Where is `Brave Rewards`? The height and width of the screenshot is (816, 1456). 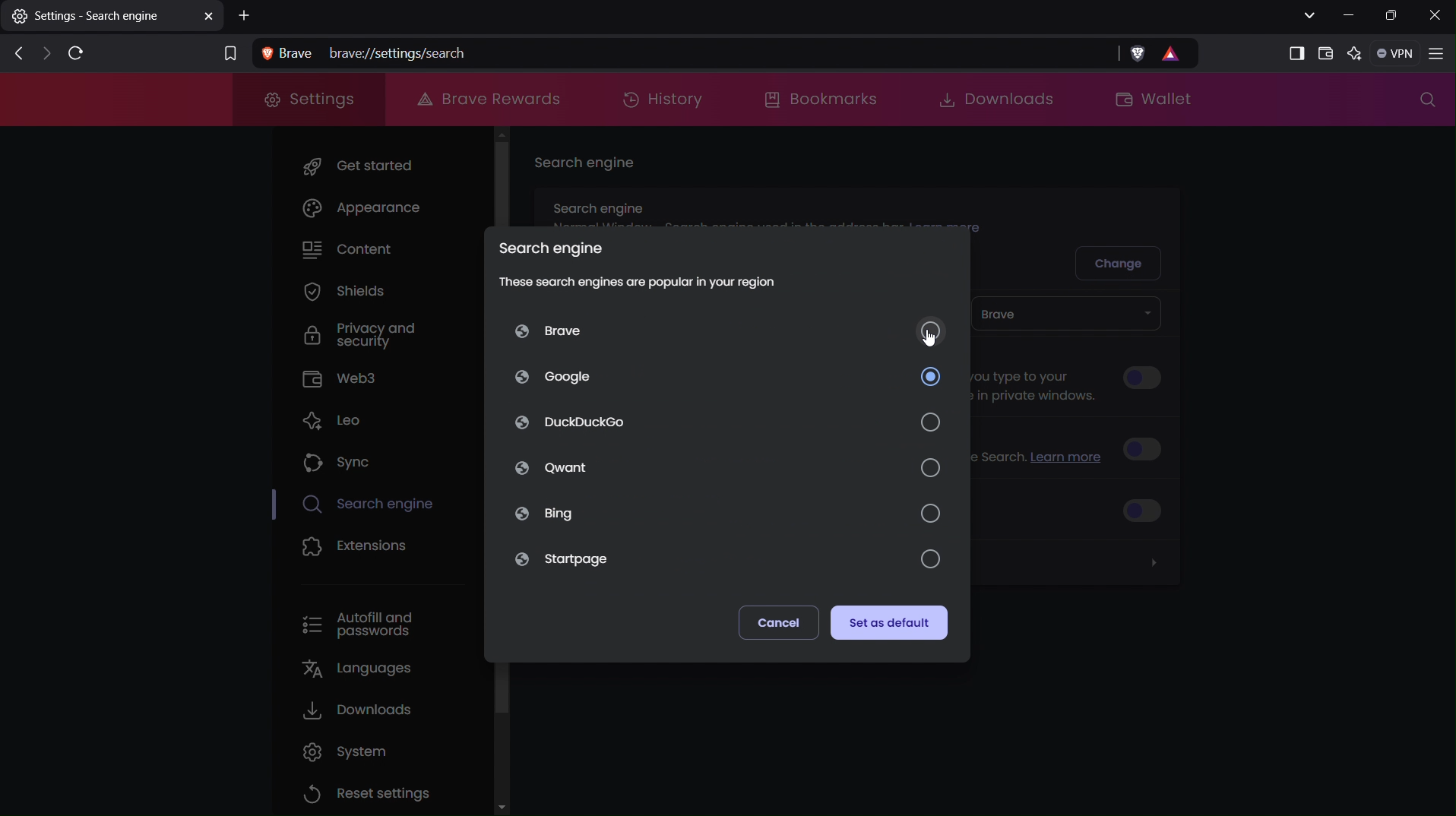 Brave Rewards is located at coordinates (486, 99).